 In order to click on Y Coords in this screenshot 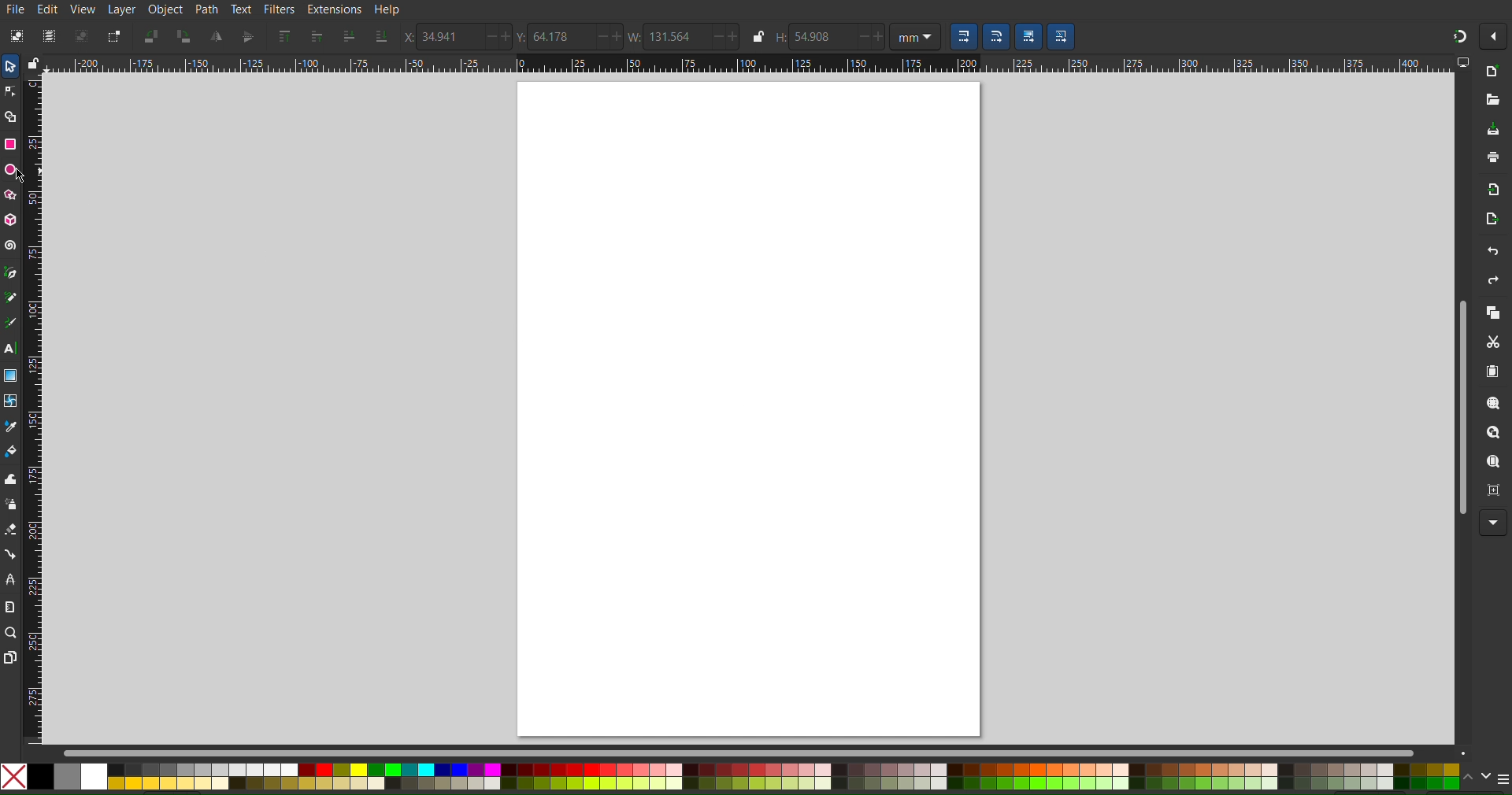, I will do `click(522, 36)`.